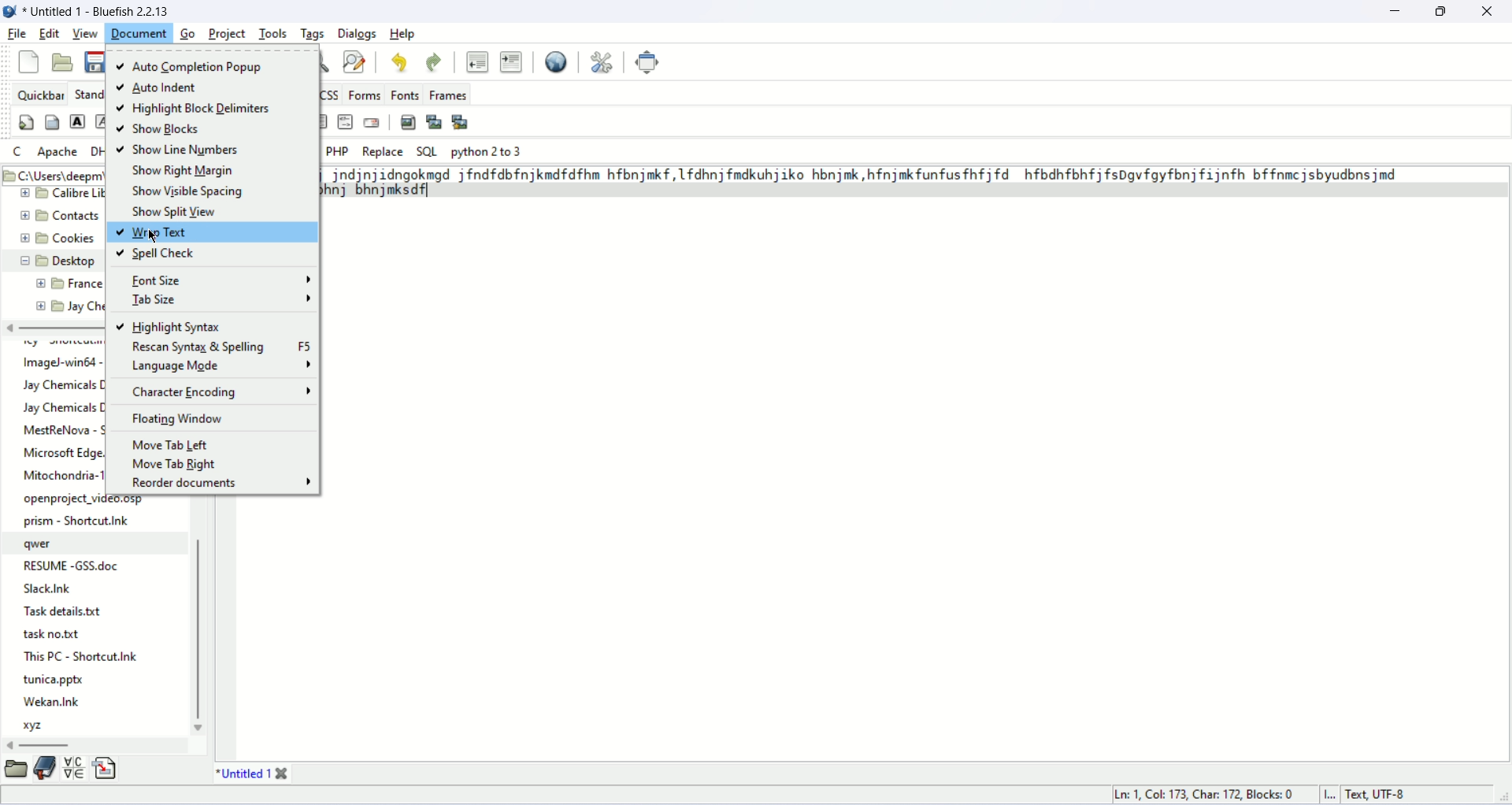 The image size is (1512, 805). I want to click on This PC - Shortcut.Ink, so click(83, 656).